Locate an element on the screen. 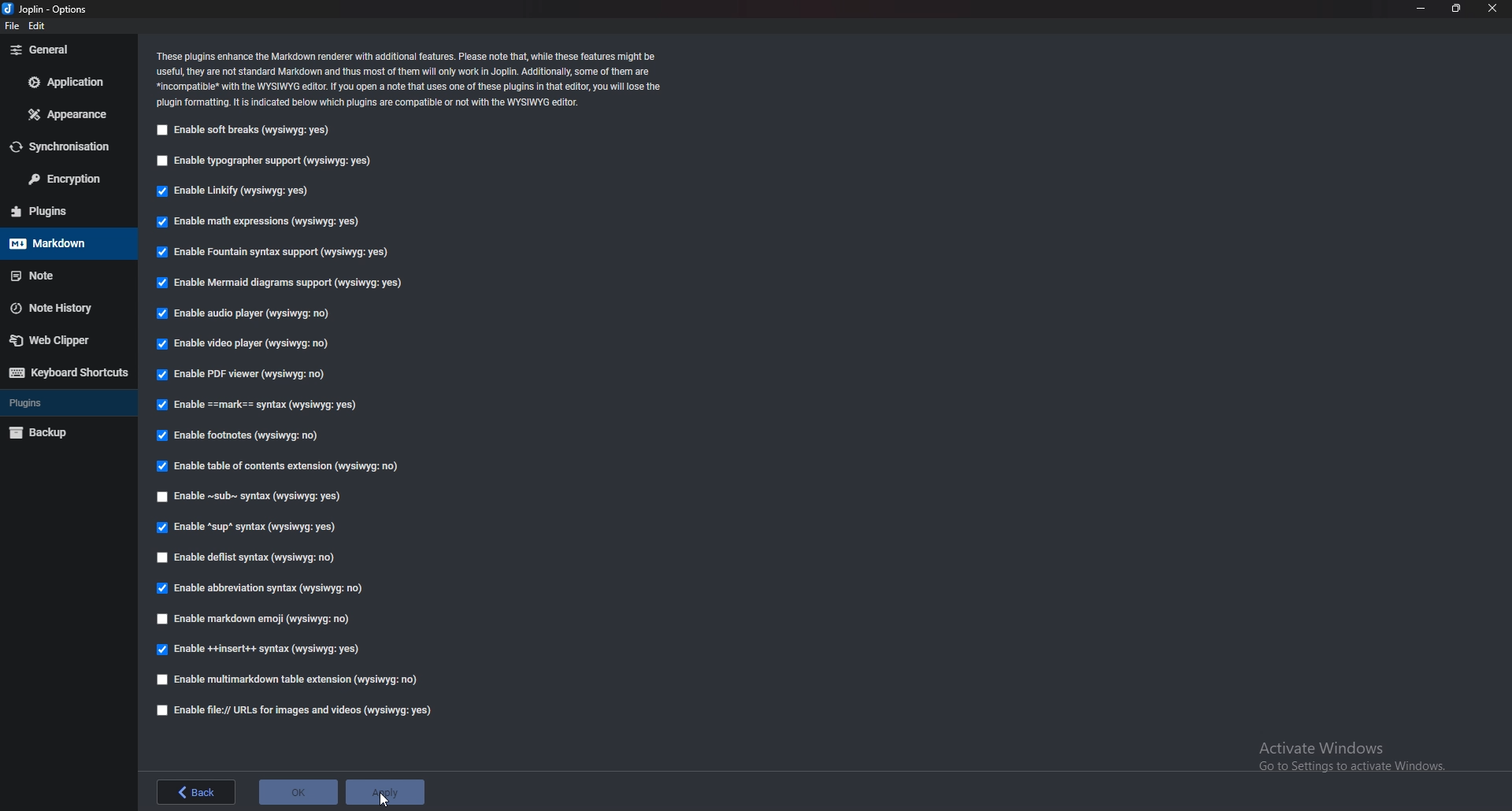  enable deflist syntax is located at coordinates (246, 558).